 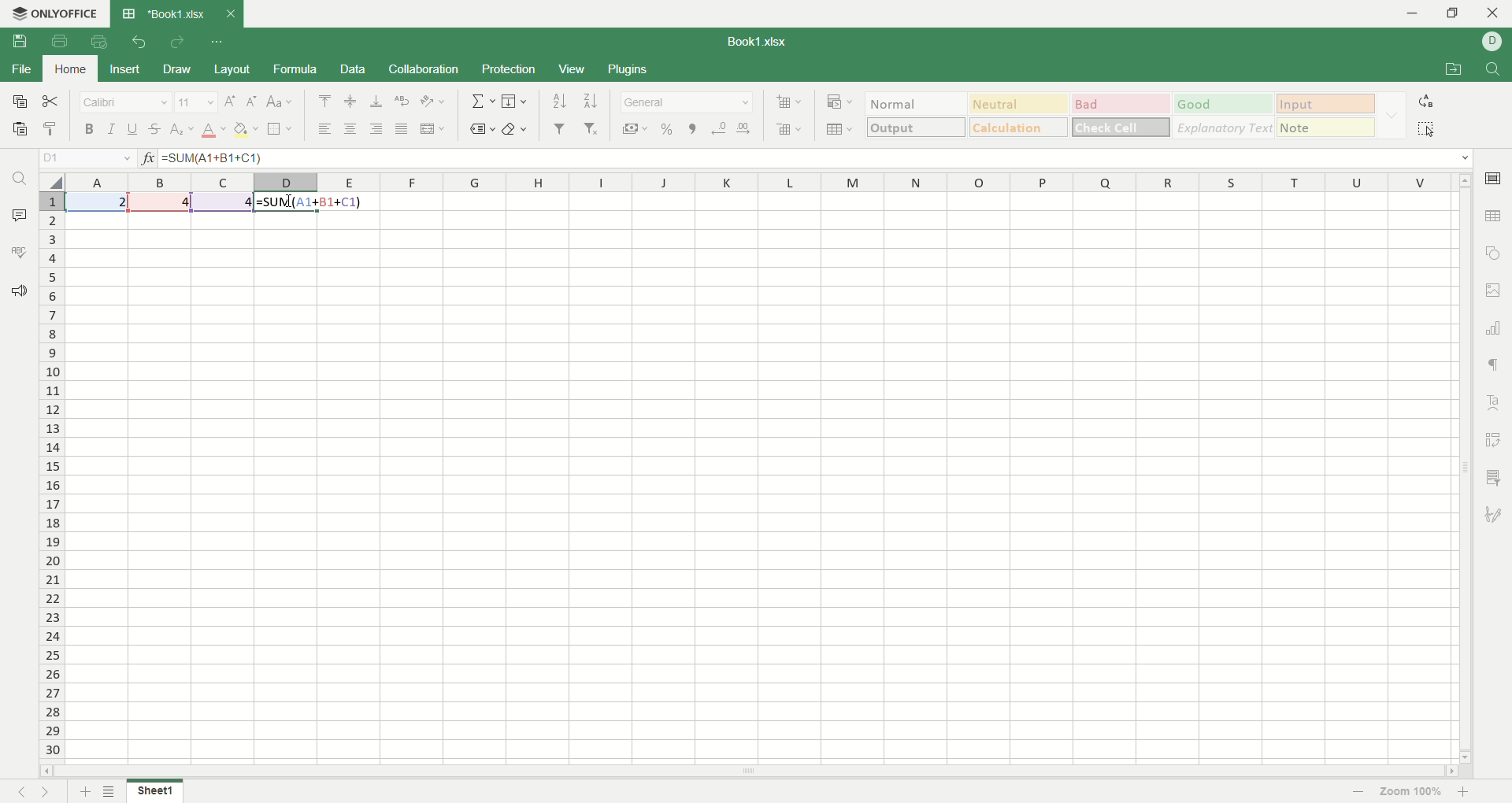 What do you see at coordinates (53, 128) in the screenshot?
I see `copy style` at bounding box center [53, 128].